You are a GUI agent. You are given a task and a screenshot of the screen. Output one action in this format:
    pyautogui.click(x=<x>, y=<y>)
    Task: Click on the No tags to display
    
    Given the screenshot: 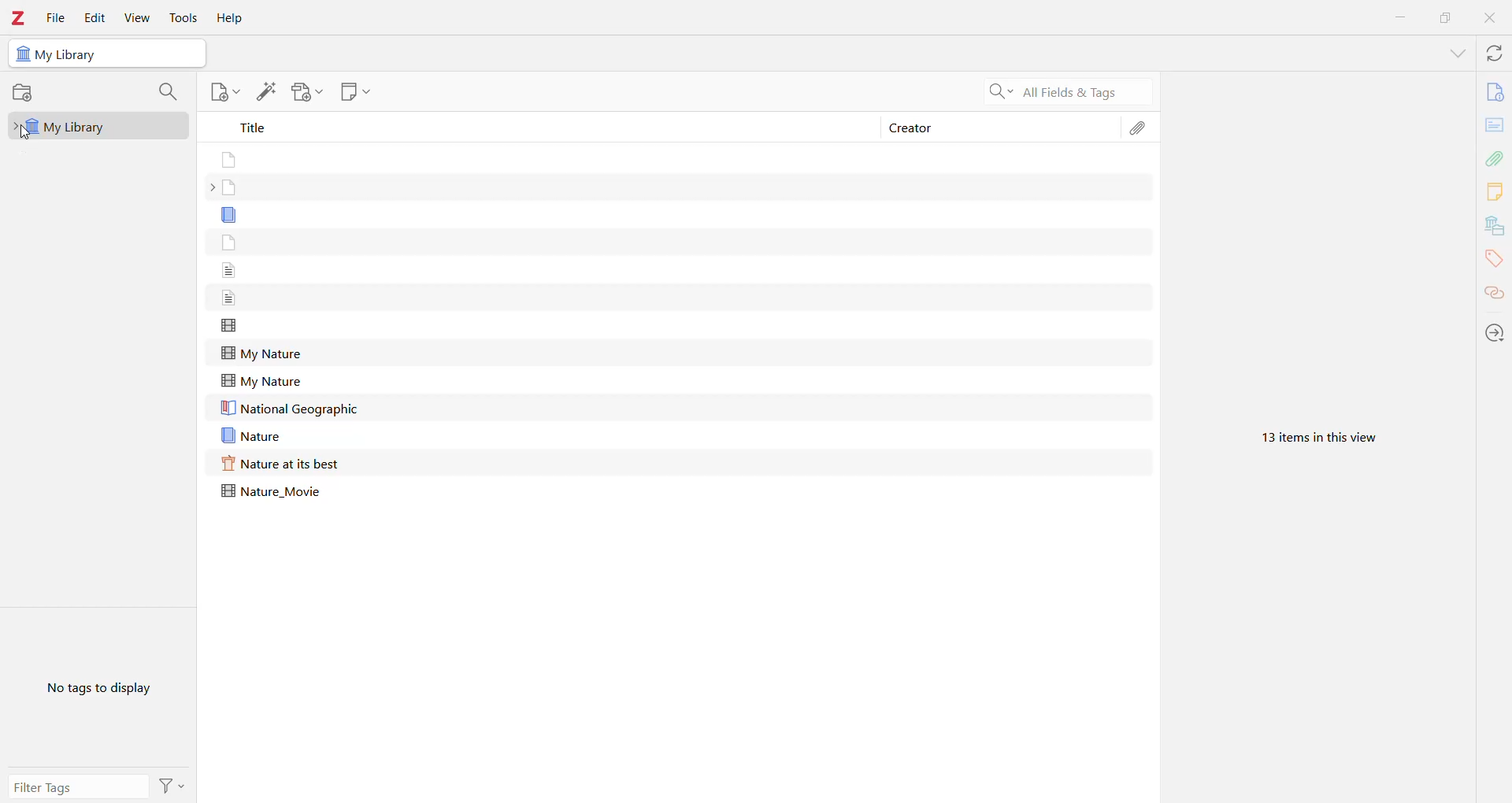 What is the action you would take?
    pyautogui.click(x=98, y=688)
    